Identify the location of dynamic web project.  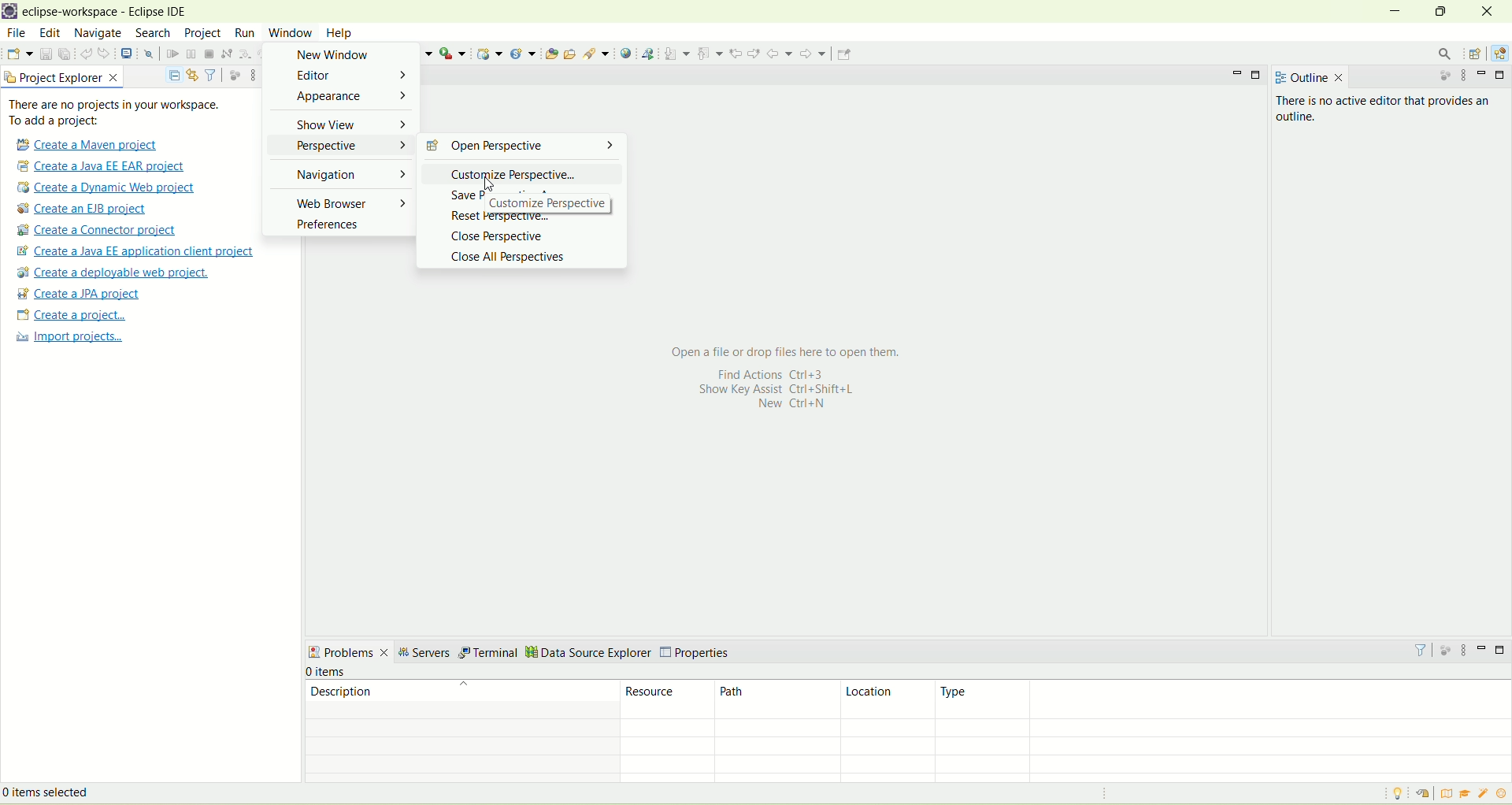
(491, 54).